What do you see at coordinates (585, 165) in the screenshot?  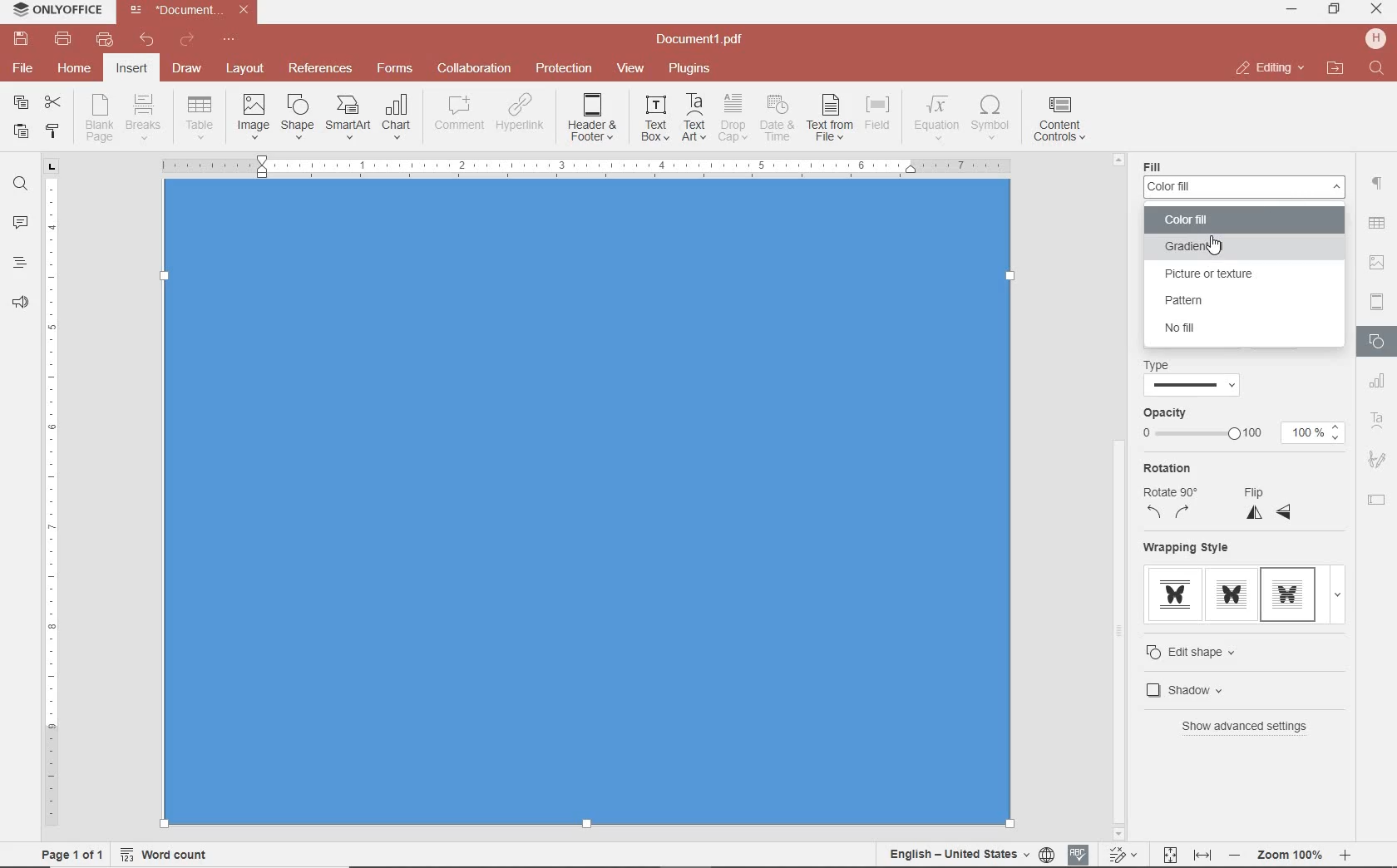 I see `` at bounding box center [585, 165].